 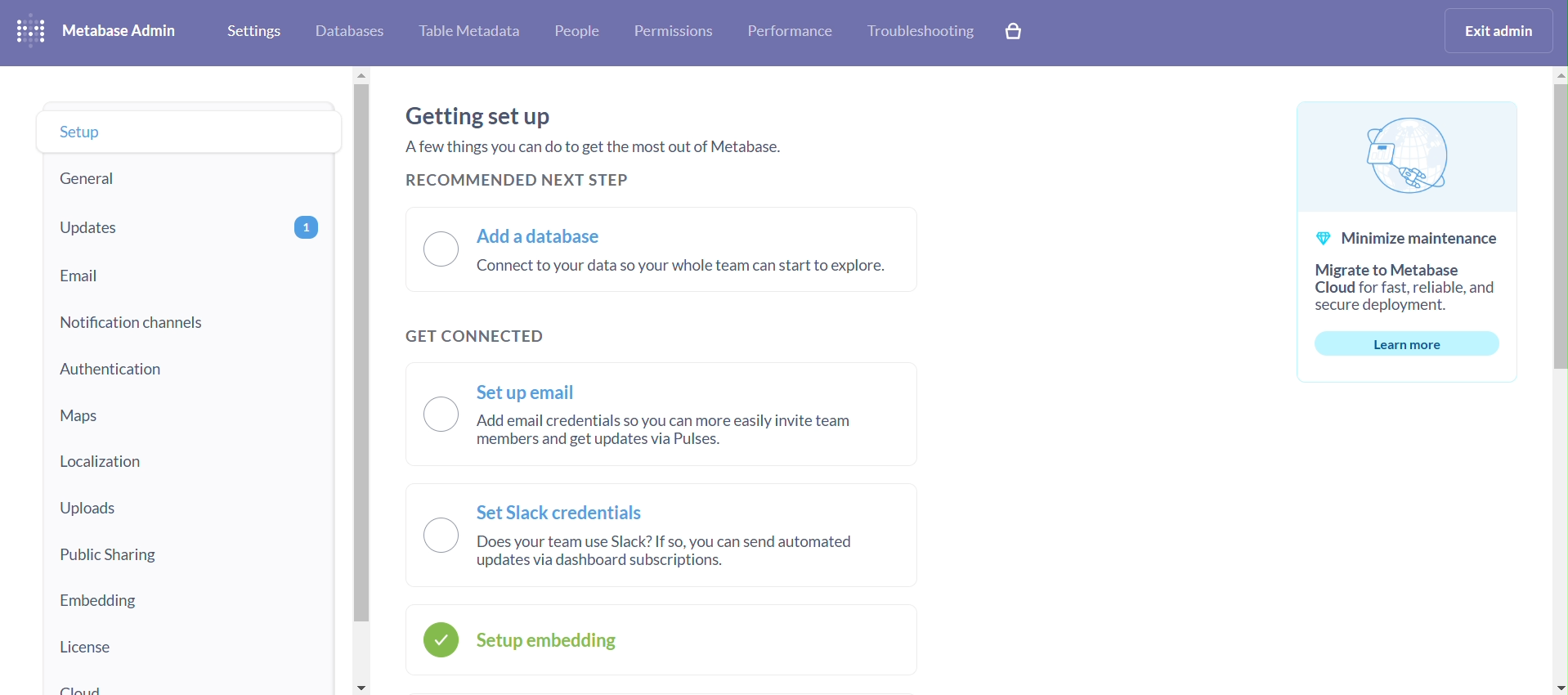 What do you see at coordinates (661, 249) in the screenshot?
I see `add a database` at bounding box center [661, 249].